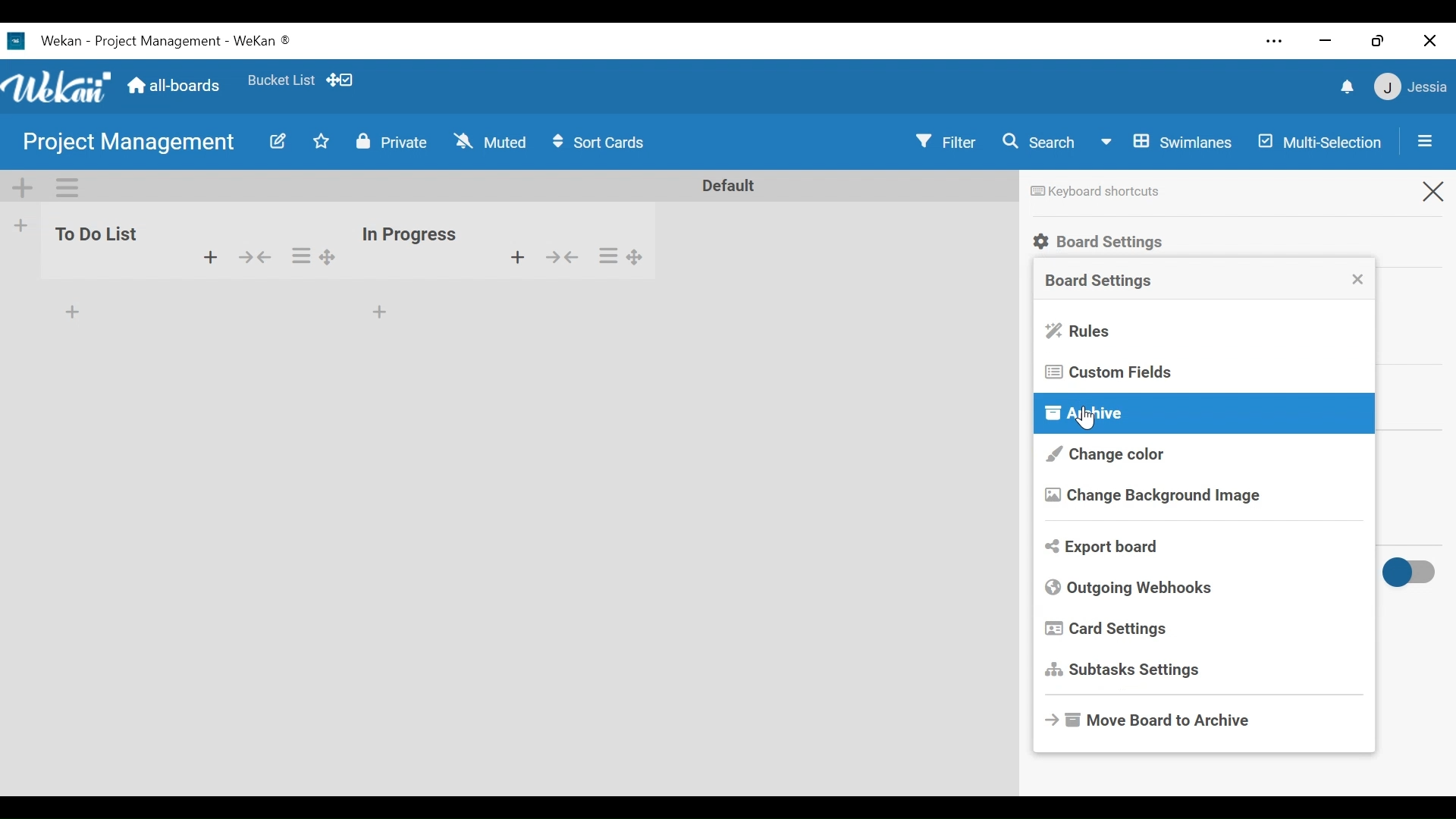  What do you see at coordinates (391, 142) in the screenshot?
I see `Change Visibility` at bounding box center [391, 142].